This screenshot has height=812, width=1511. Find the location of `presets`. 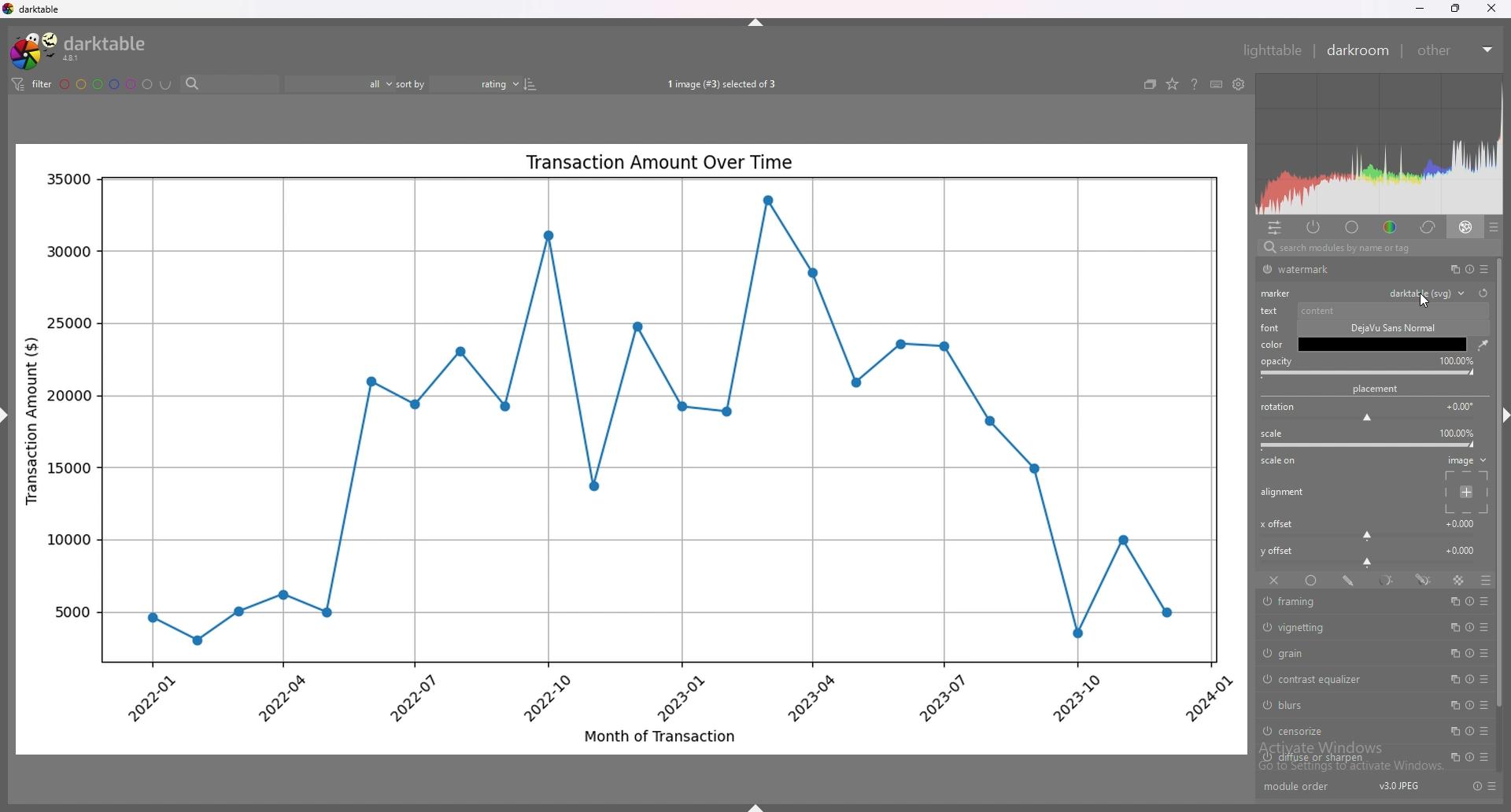

presets is located at coordinates (1487, 706).